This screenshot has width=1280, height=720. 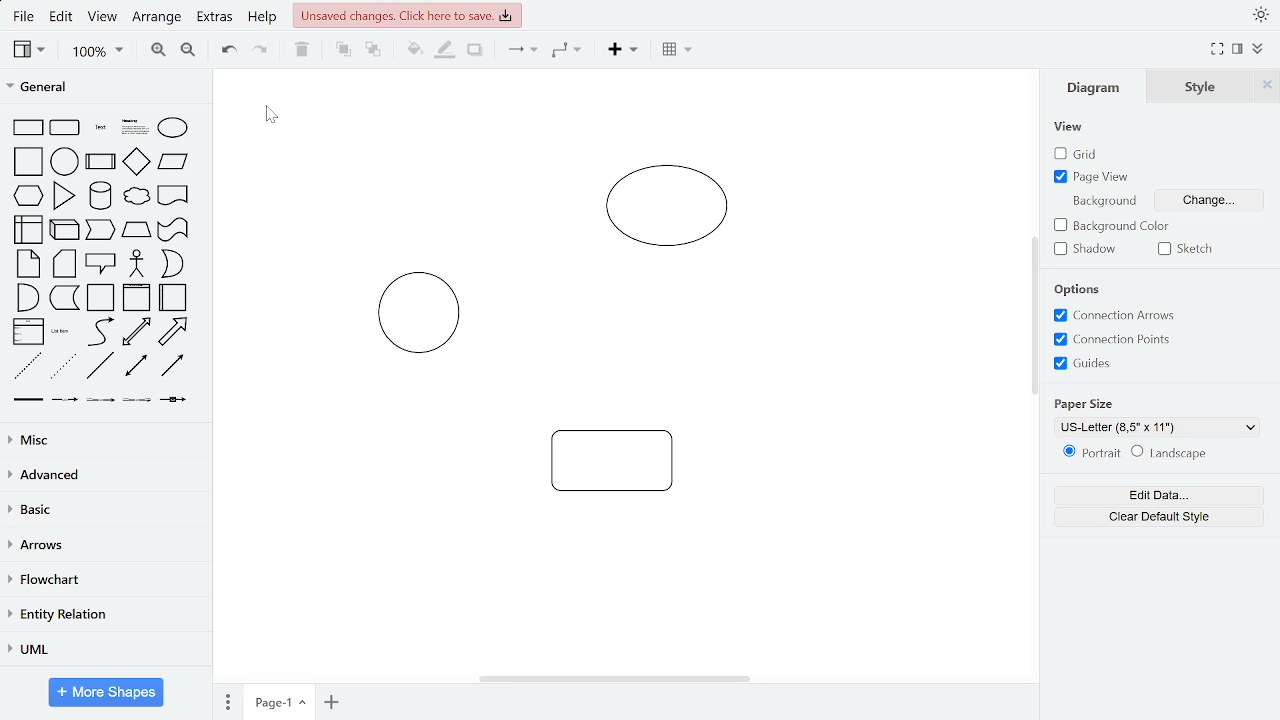 I want to click on change background, so click(x=1211, y=198).